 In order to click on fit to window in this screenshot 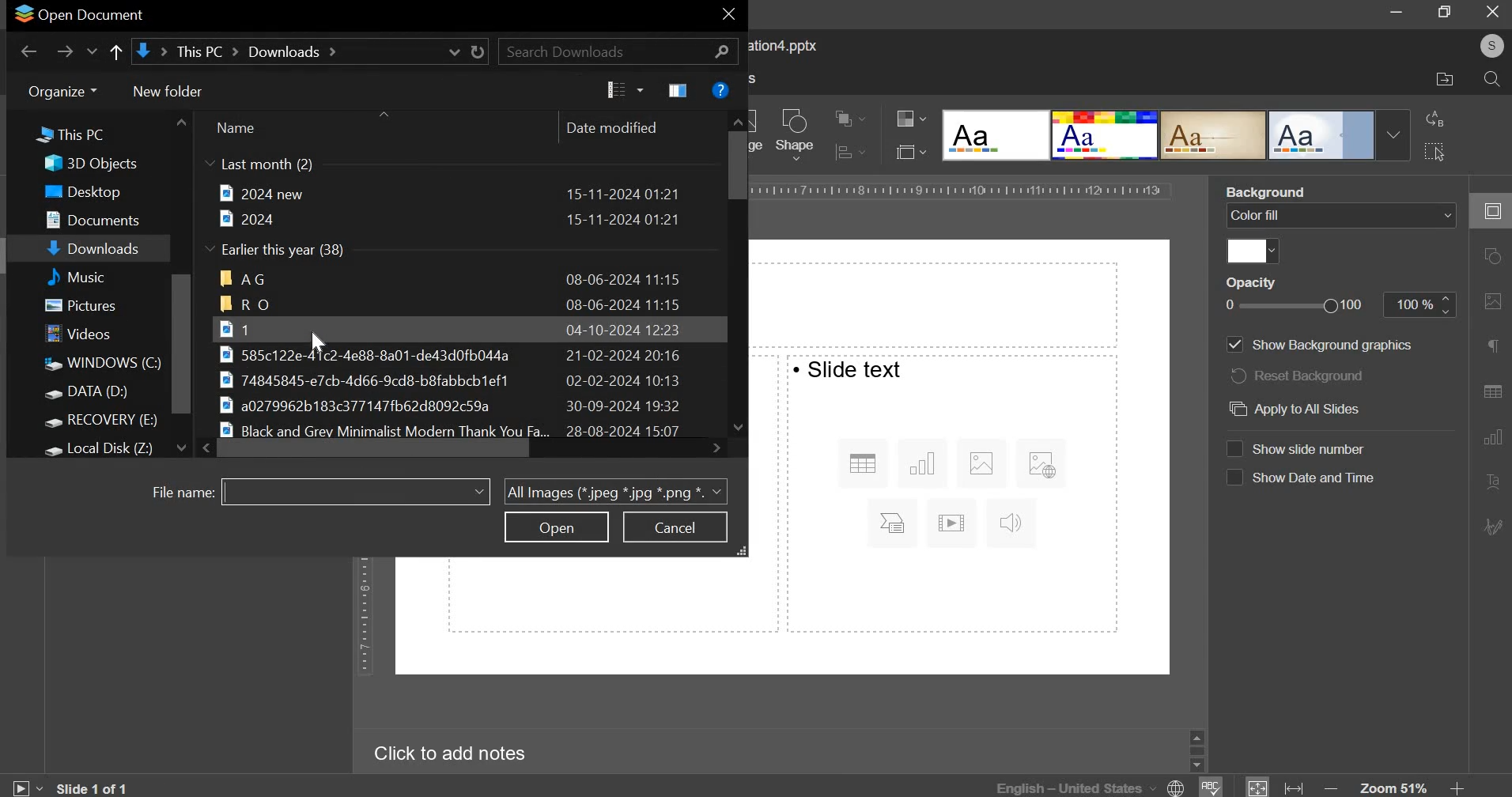, I will do `click(1258, 788)`.